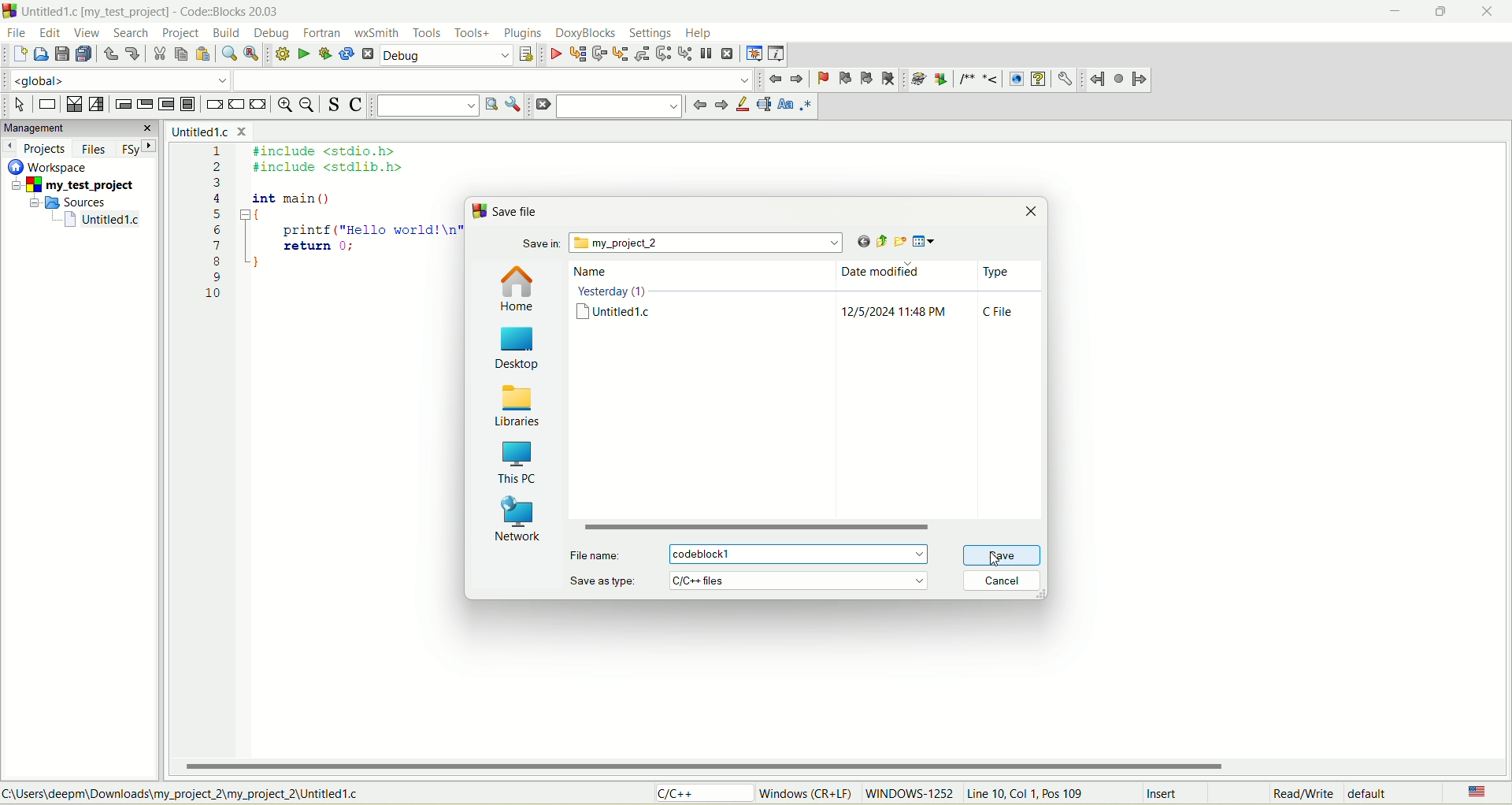  Describe the element at coordinates (523, 33) in the screenshot. I see `plugins` at that location.